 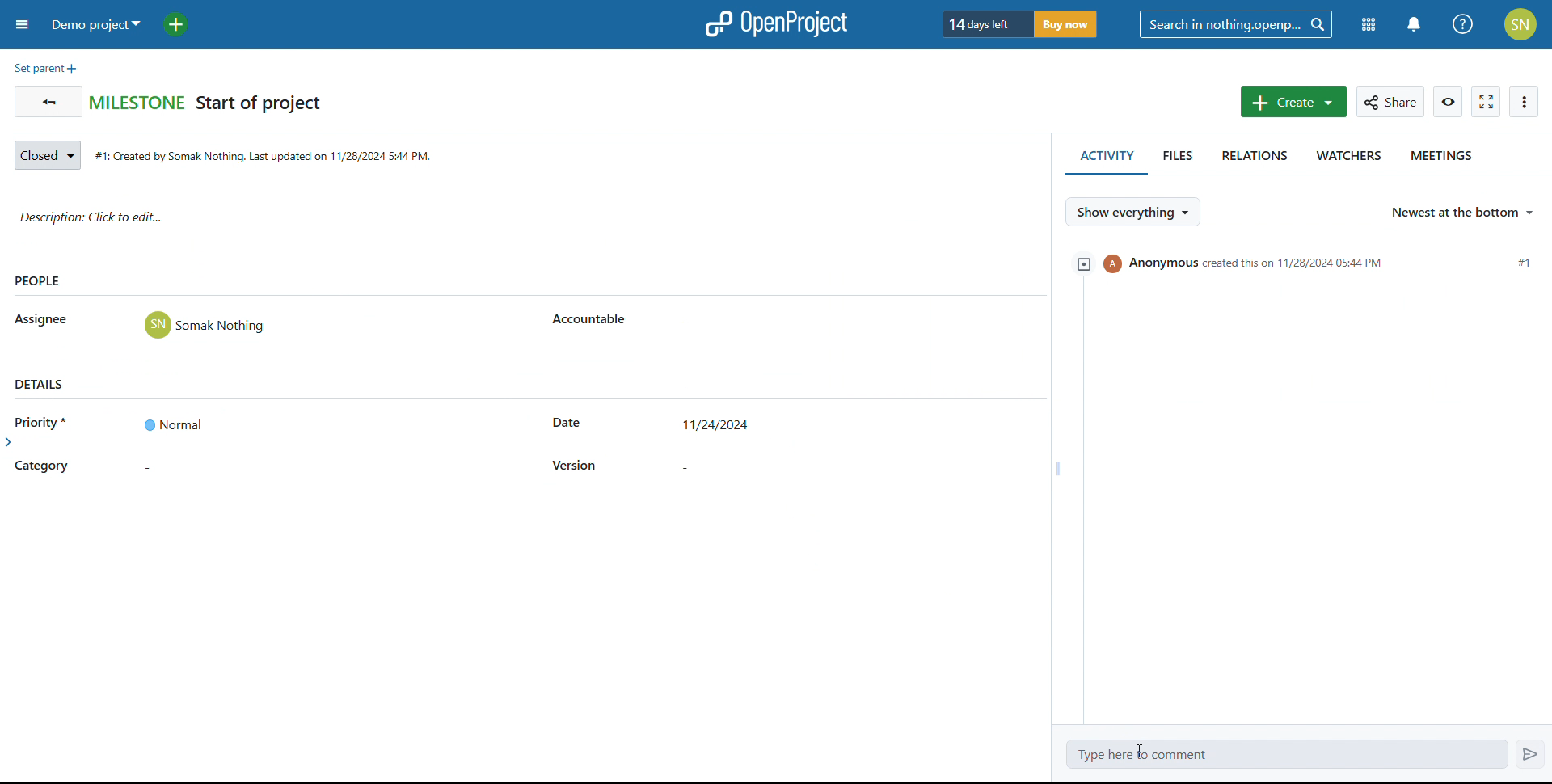 What do you see at coordinates (1055, 468) in the screenshot?
I see `resize` at bounding box center [1055, 468].